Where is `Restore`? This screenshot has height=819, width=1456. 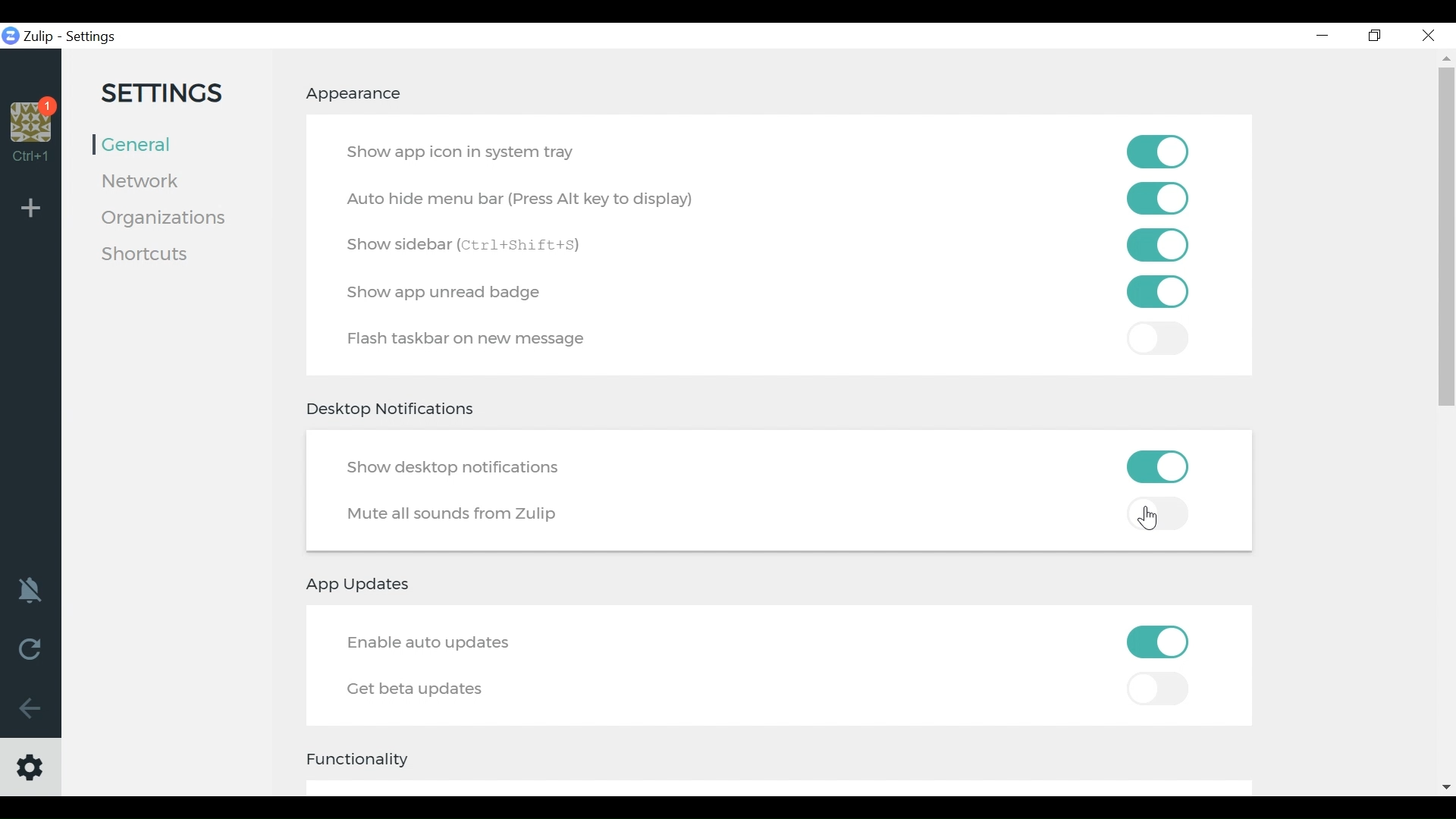 Restore is located at coordinates (1376, 36).